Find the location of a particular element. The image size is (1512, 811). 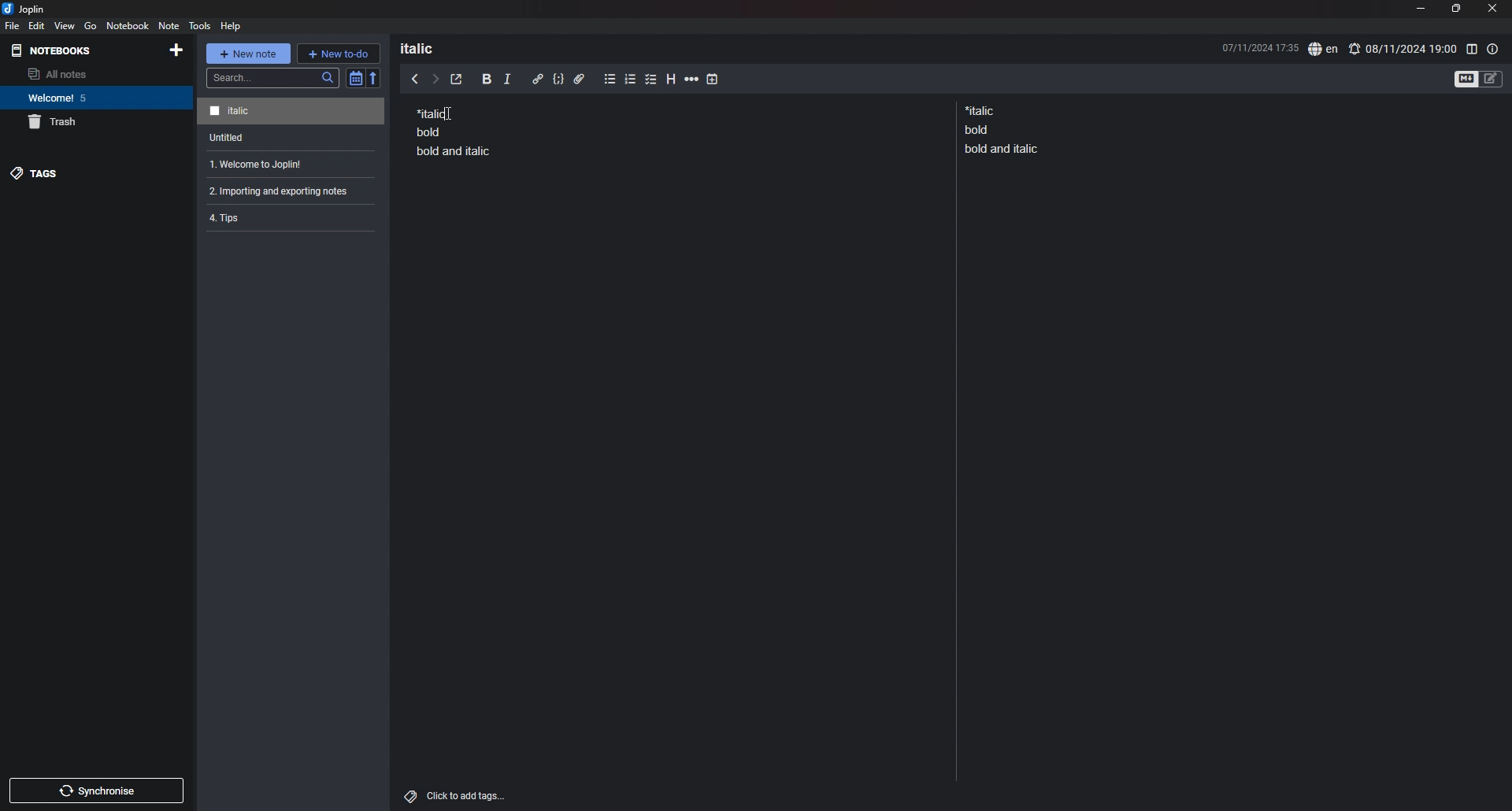

all notes is located at coordinates (92, 74).